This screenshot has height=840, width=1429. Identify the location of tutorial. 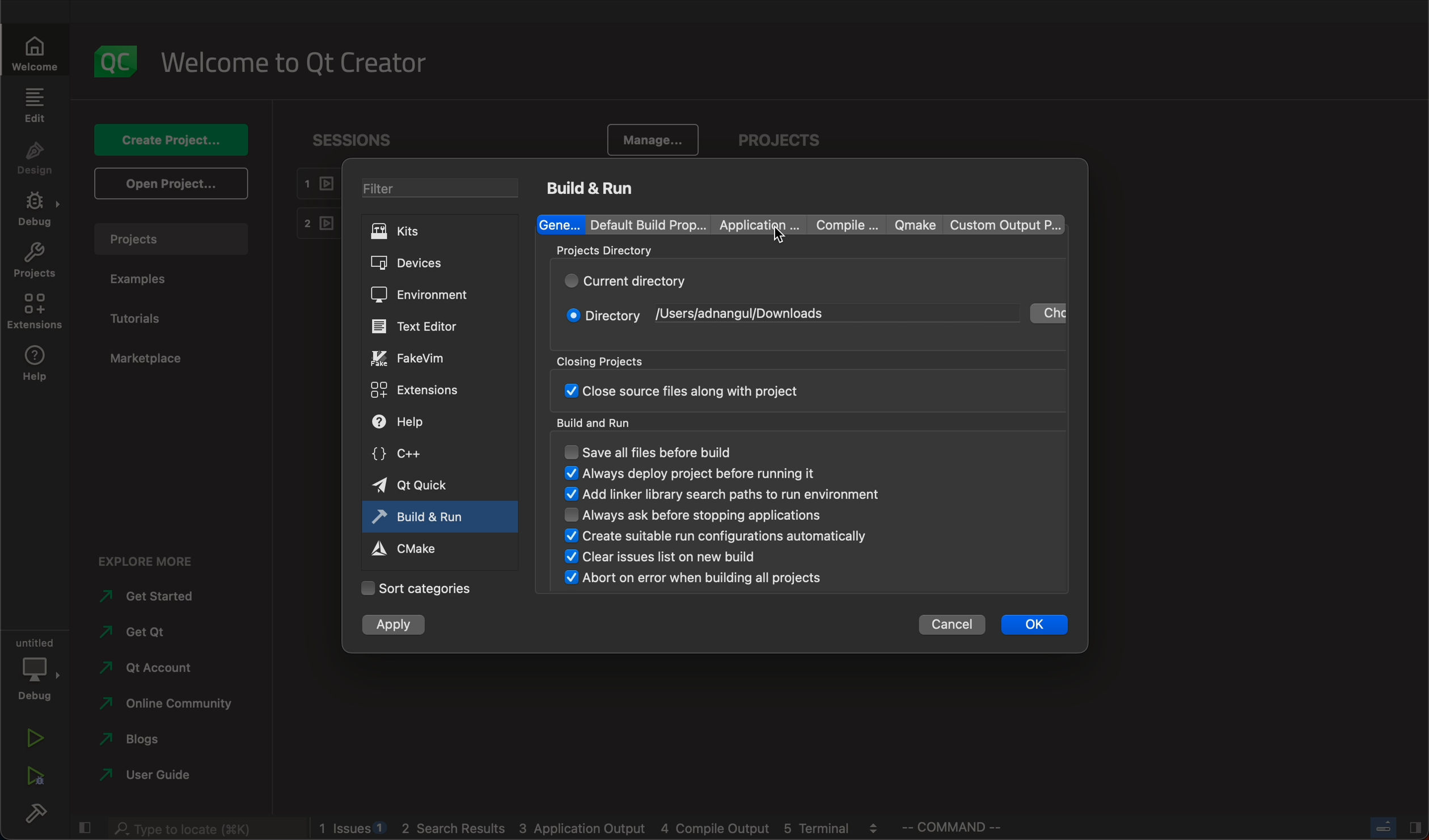
(139, 317).